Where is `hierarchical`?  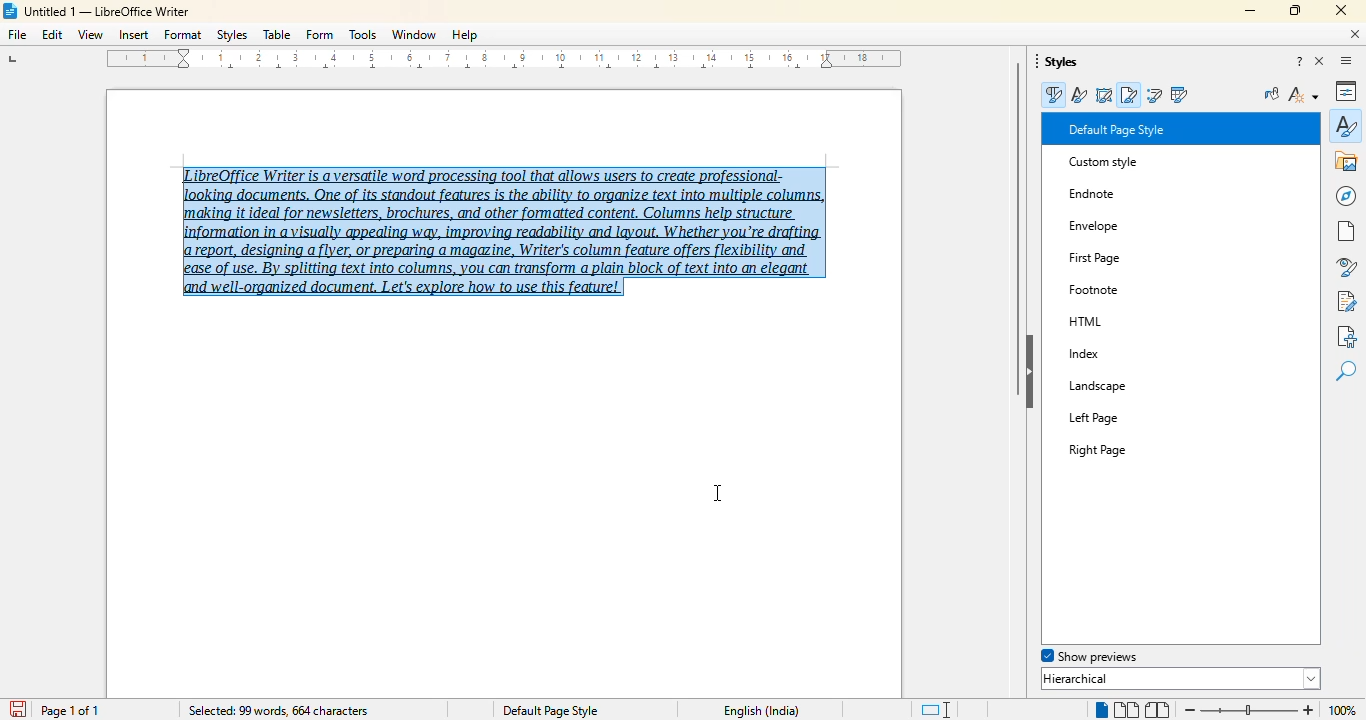 hierarchical is located at coordinates (1181, 678).